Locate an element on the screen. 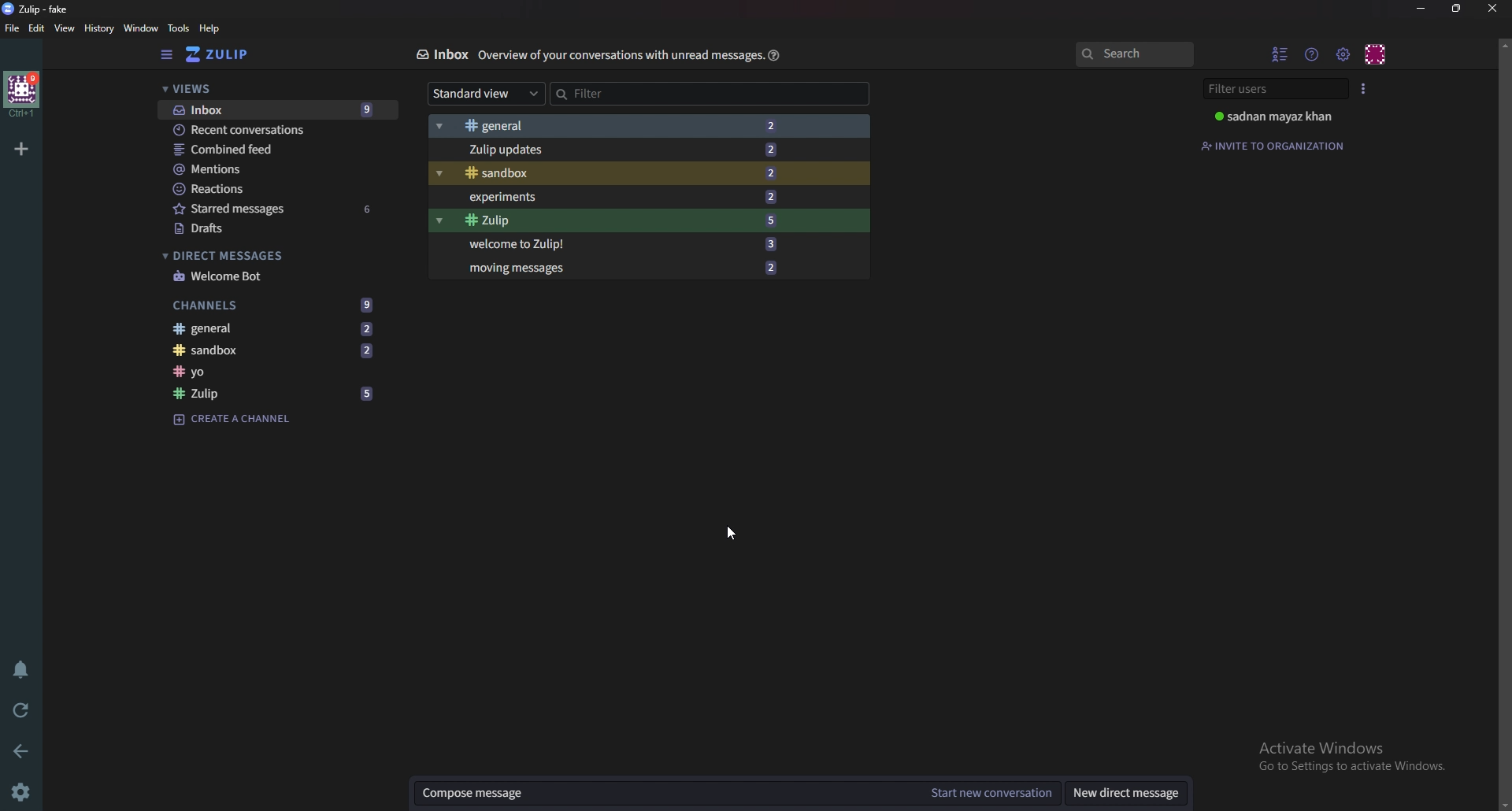 The width and height of the screenshot is (1512, 811). Start a conversation is located at coordinates (990, 794).